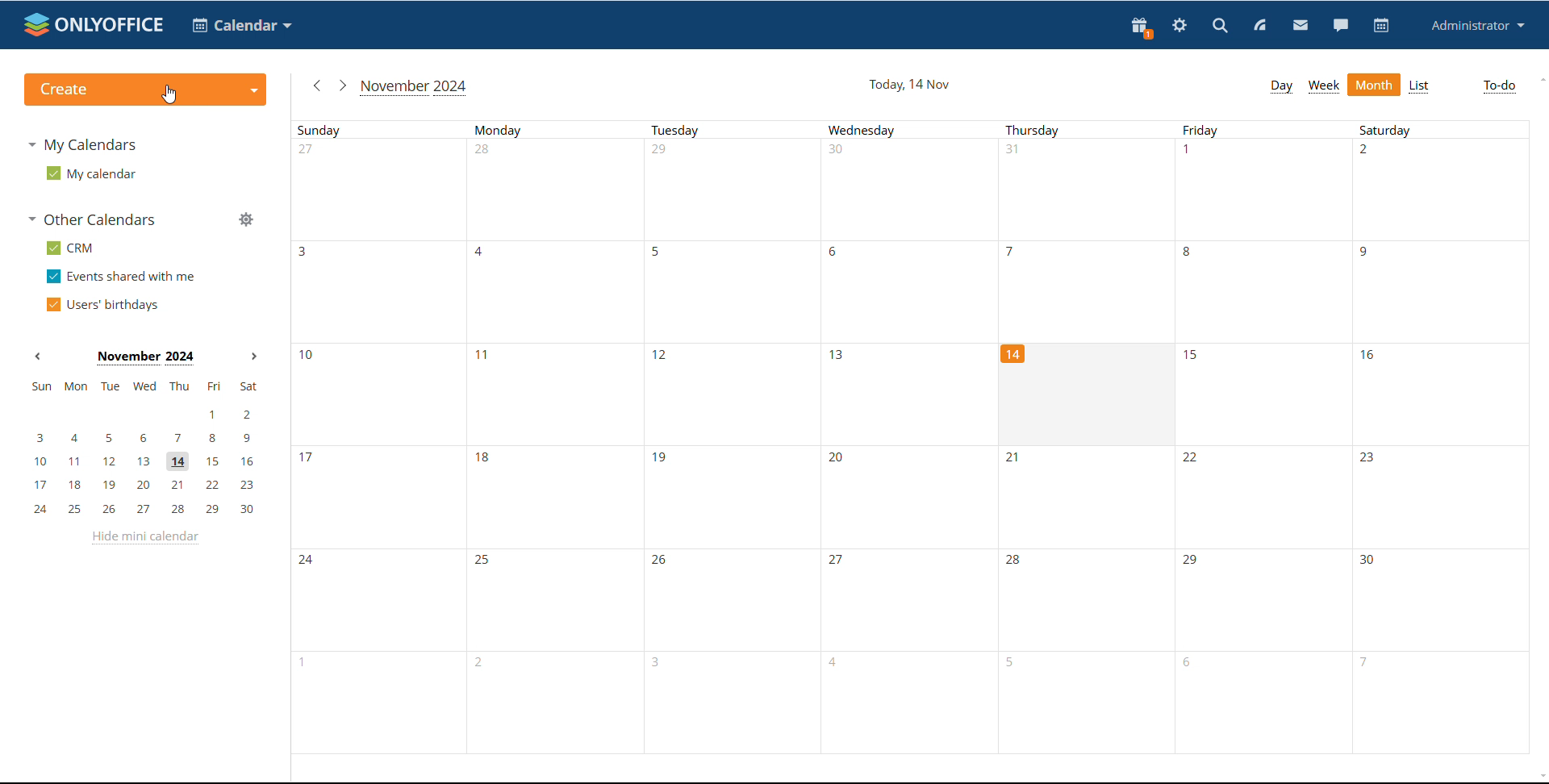 The height and width of the screenshot is (784, 1549). What do you see at coordinates (919, 133) in the screenshot?
I see `Days of the week` at bounding box center [919, 133].